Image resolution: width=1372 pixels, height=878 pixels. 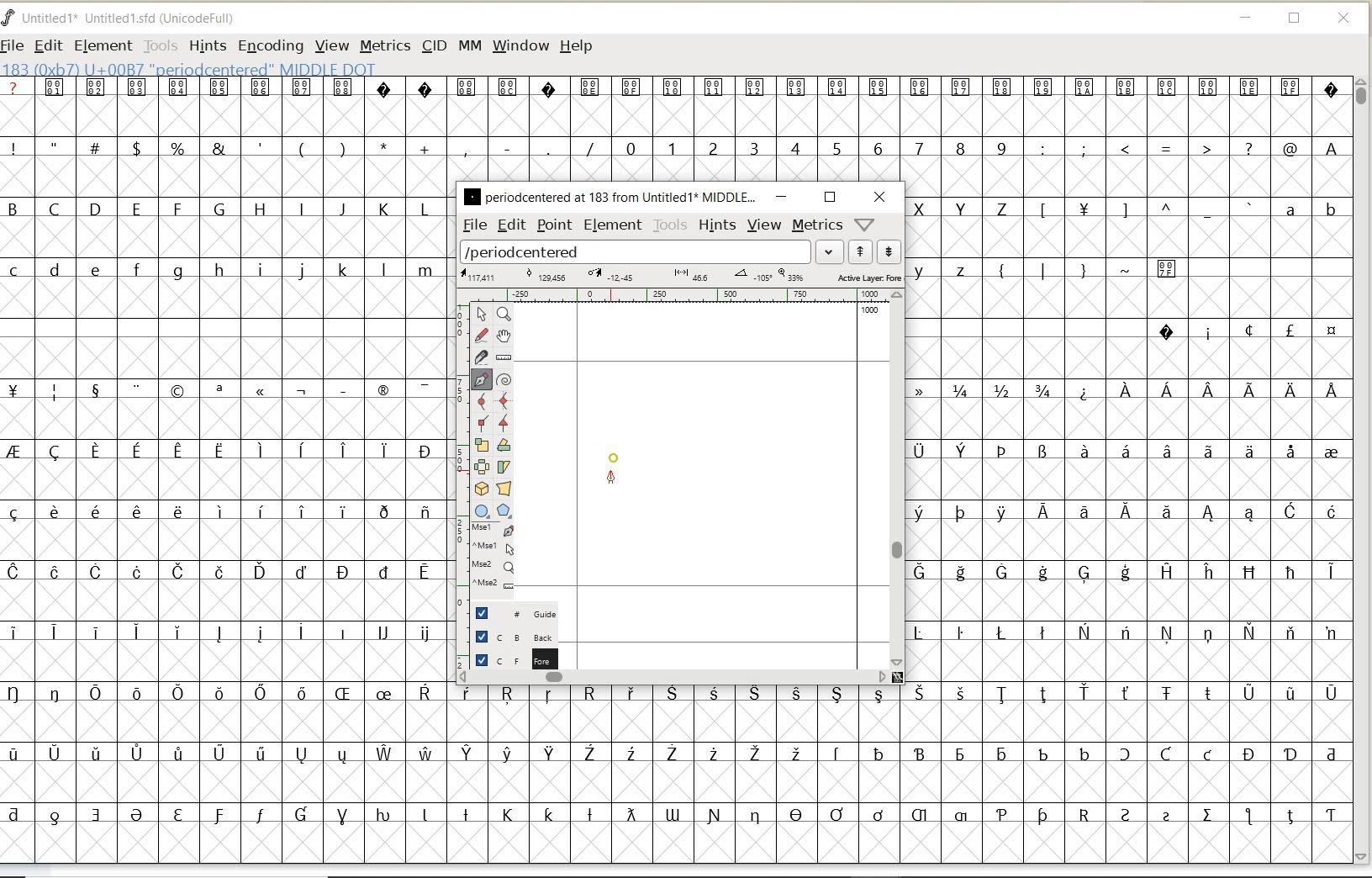 What do you see at coordinates (191, 68) in the screenshot?
I see `glyph info` at bounding box center [191, 68].